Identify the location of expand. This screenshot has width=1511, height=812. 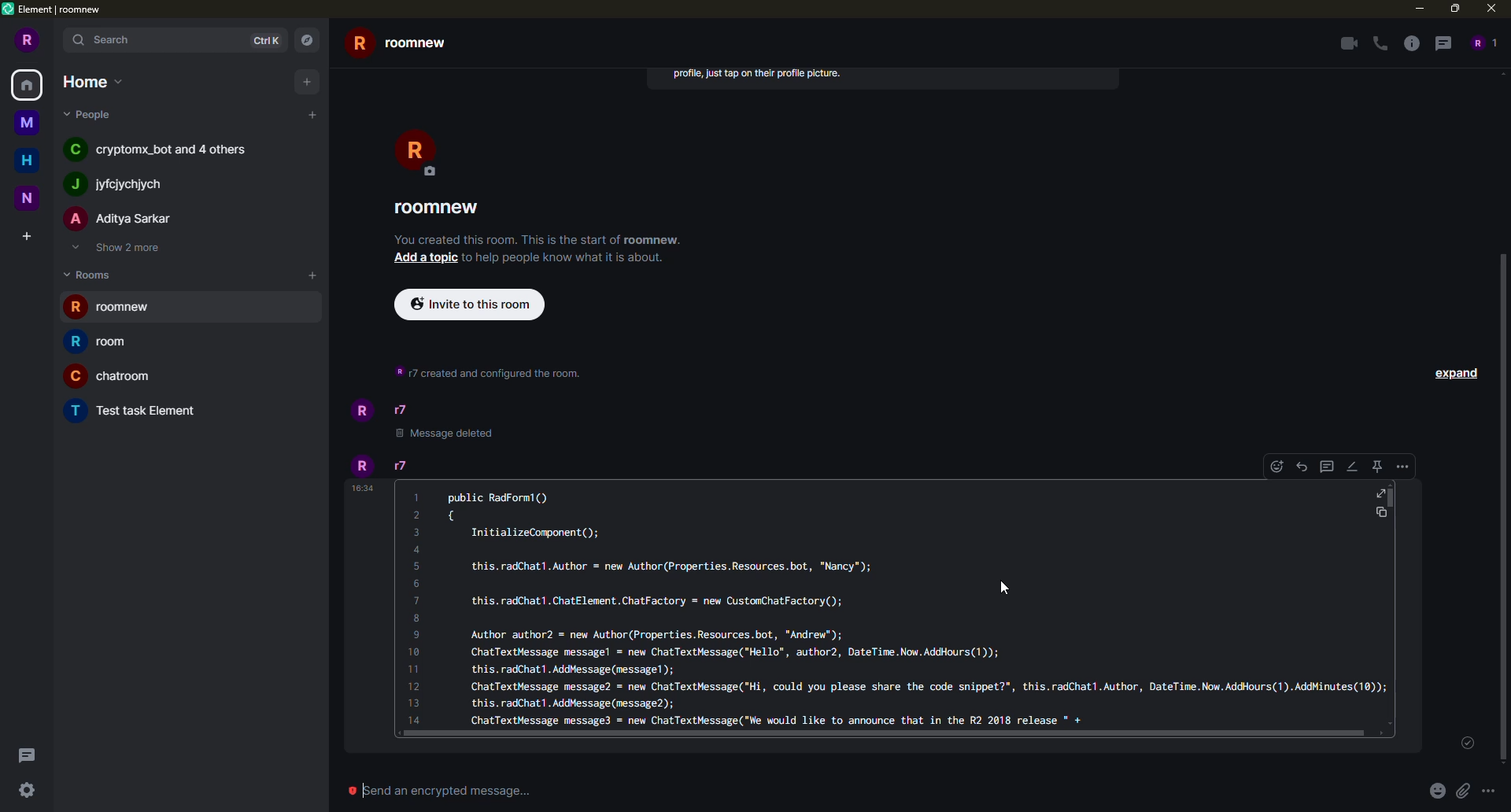
(1459, 371).